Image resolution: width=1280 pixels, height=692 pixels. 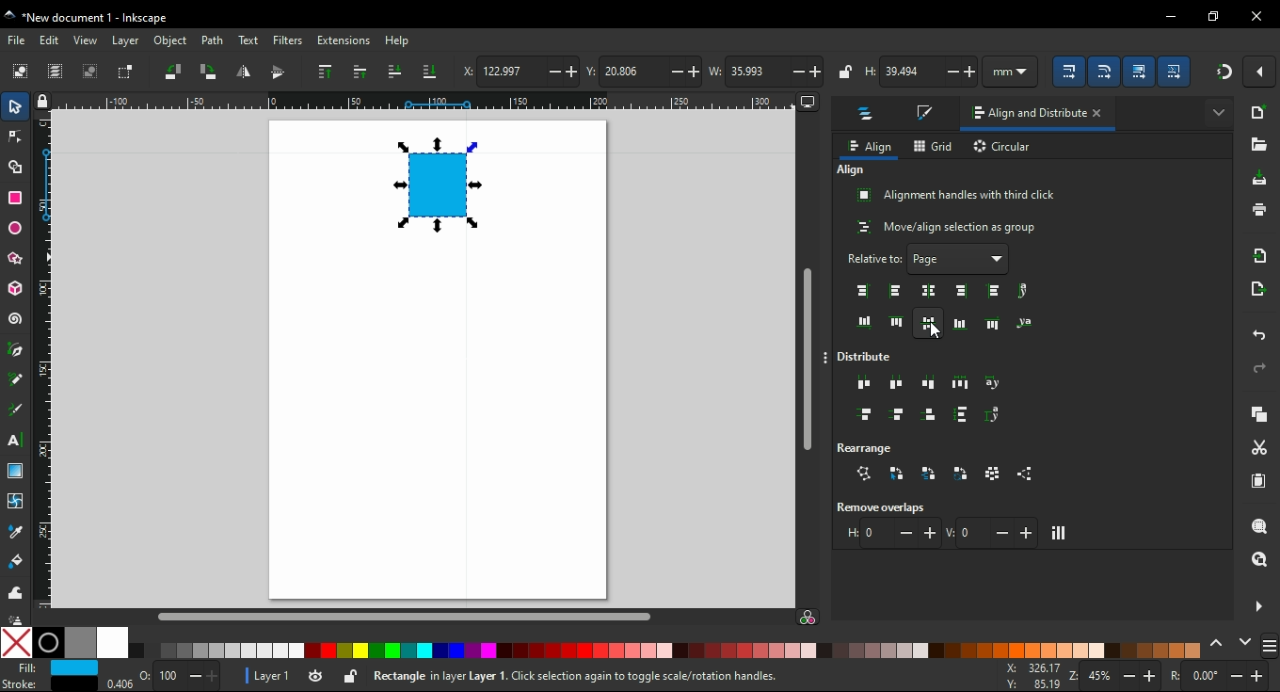 I want to click on deselect, so click(x=93, y=71).